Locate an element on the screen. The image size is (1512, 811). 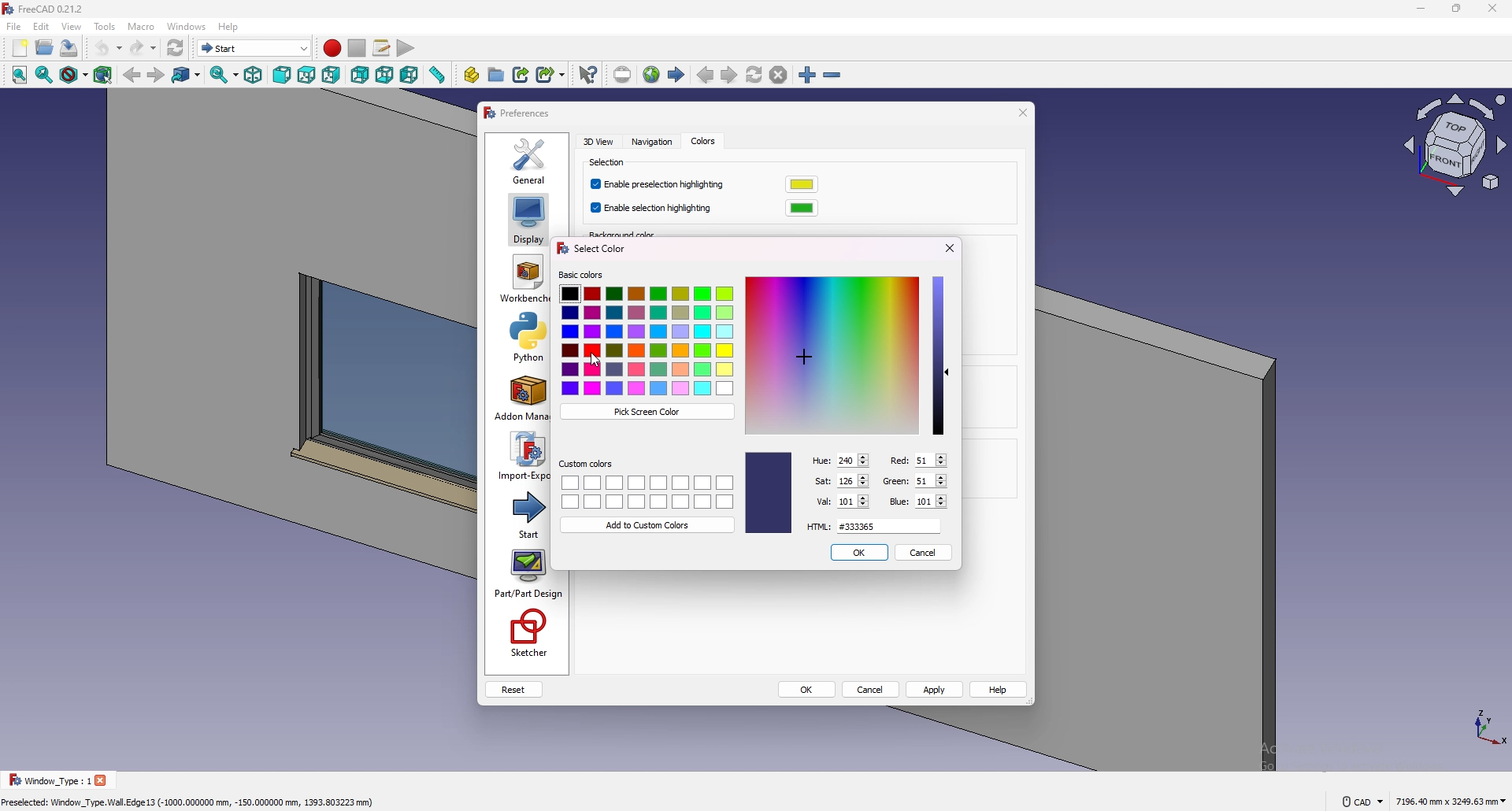
Select Color is located at coordinates (590, 248).